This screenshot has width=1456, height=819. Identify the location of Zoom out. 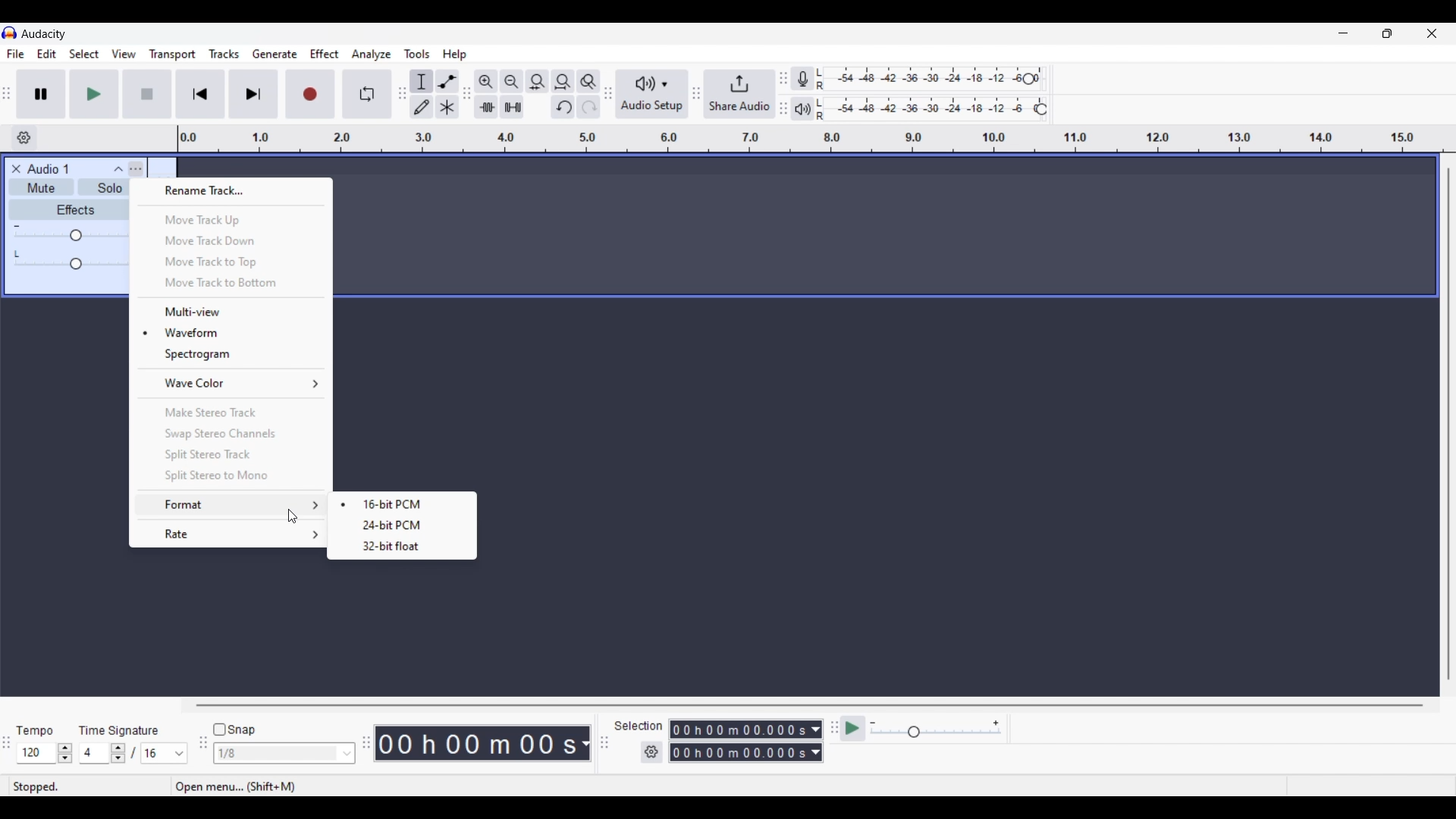
(511, 81).